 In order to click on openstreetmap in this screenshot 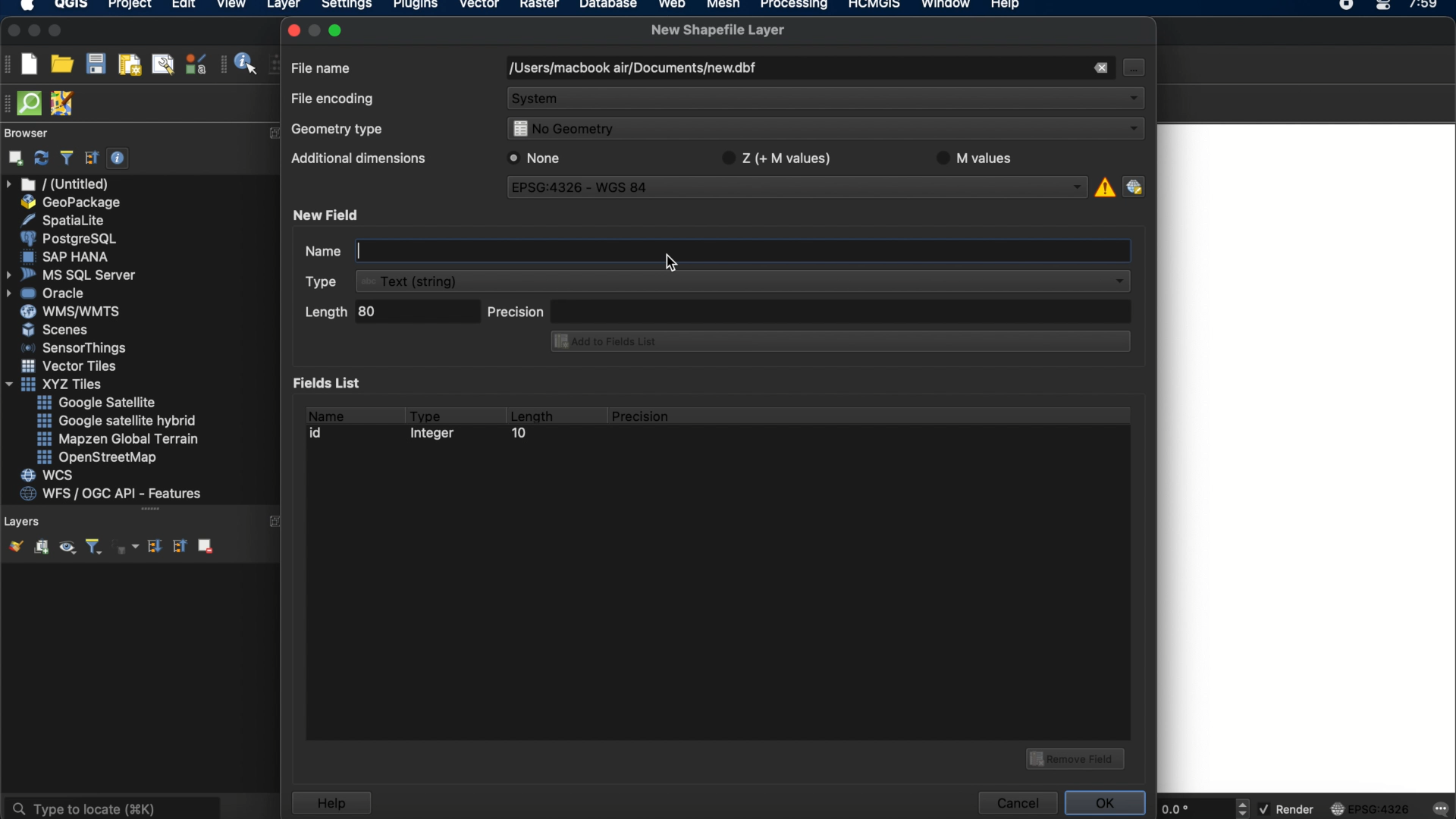, I will do `click(97, 458)`.